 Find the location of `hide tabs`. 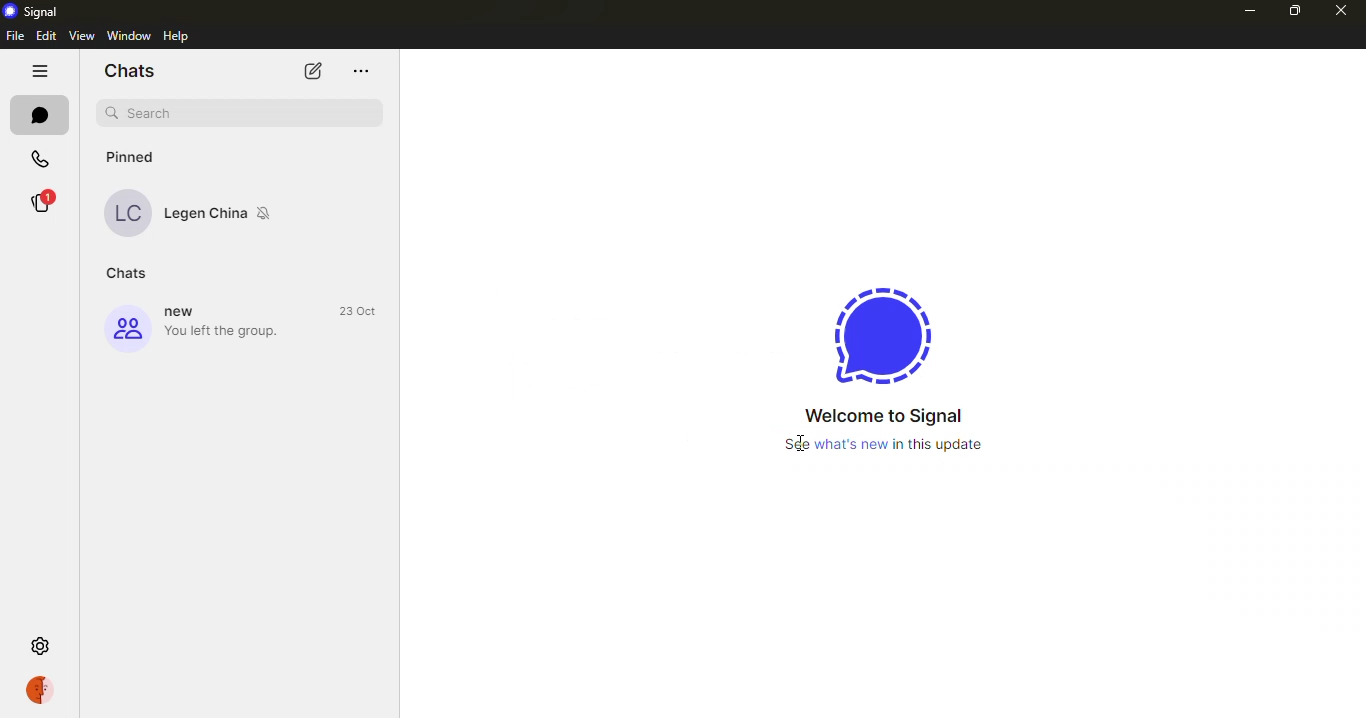

hide tabs is located at coordinates (39, 71).